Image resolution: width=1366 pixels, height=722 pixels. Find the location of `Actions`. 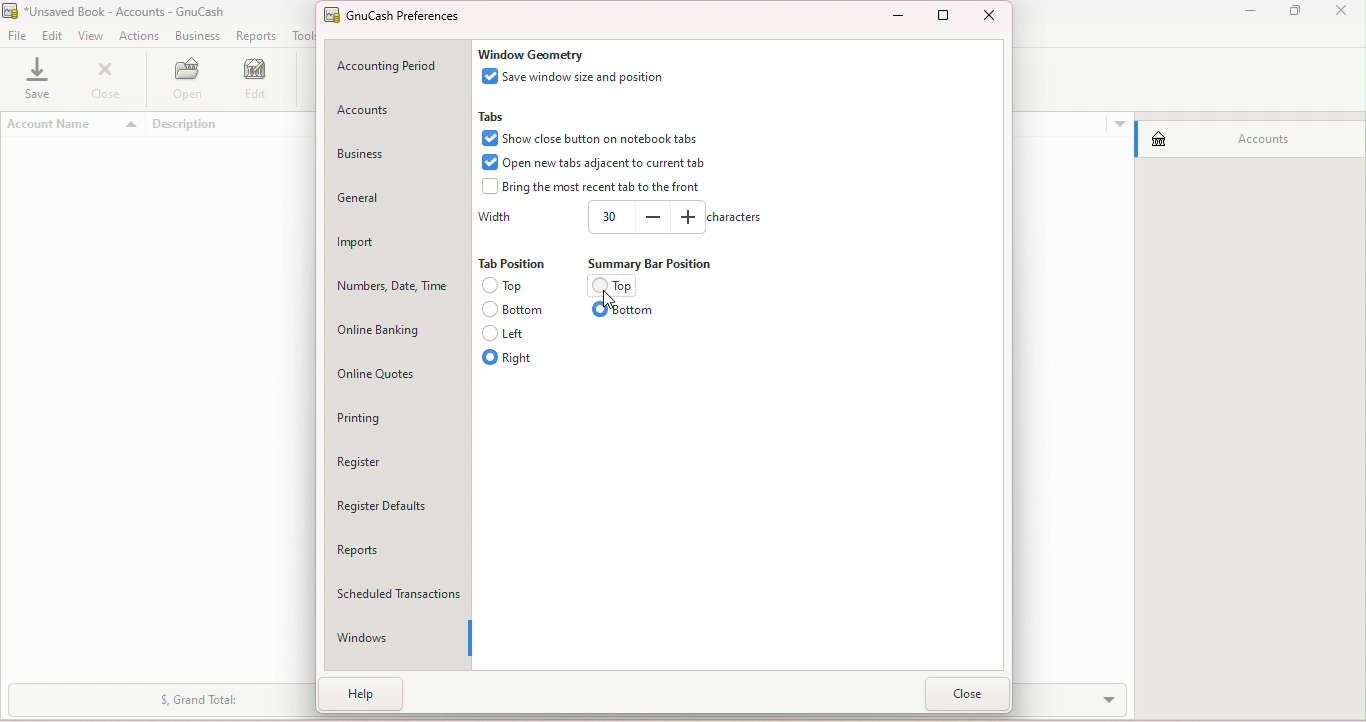

Actions is located at coordinates (138, 36).